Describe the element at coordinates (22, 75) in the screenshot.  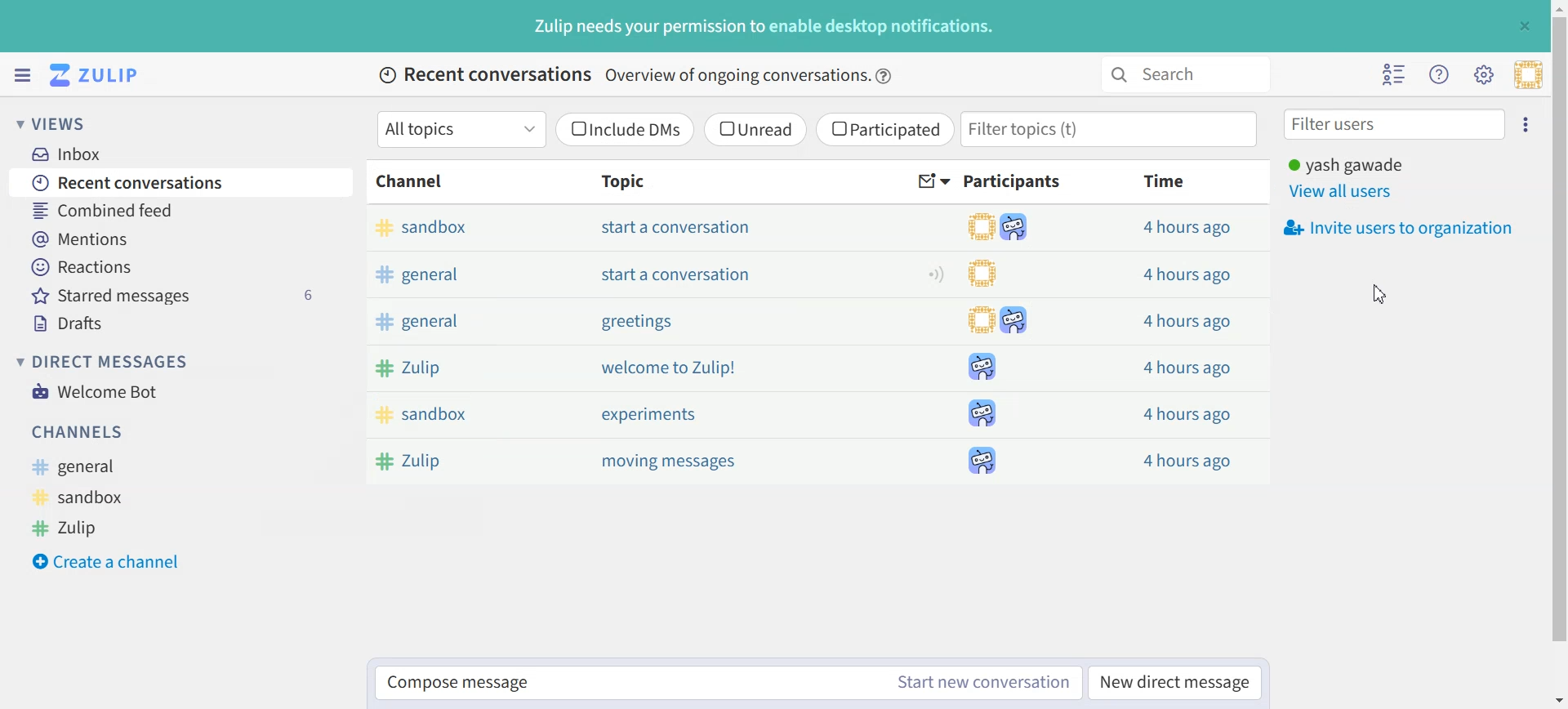
I see `Hide left sidebar` at that location.